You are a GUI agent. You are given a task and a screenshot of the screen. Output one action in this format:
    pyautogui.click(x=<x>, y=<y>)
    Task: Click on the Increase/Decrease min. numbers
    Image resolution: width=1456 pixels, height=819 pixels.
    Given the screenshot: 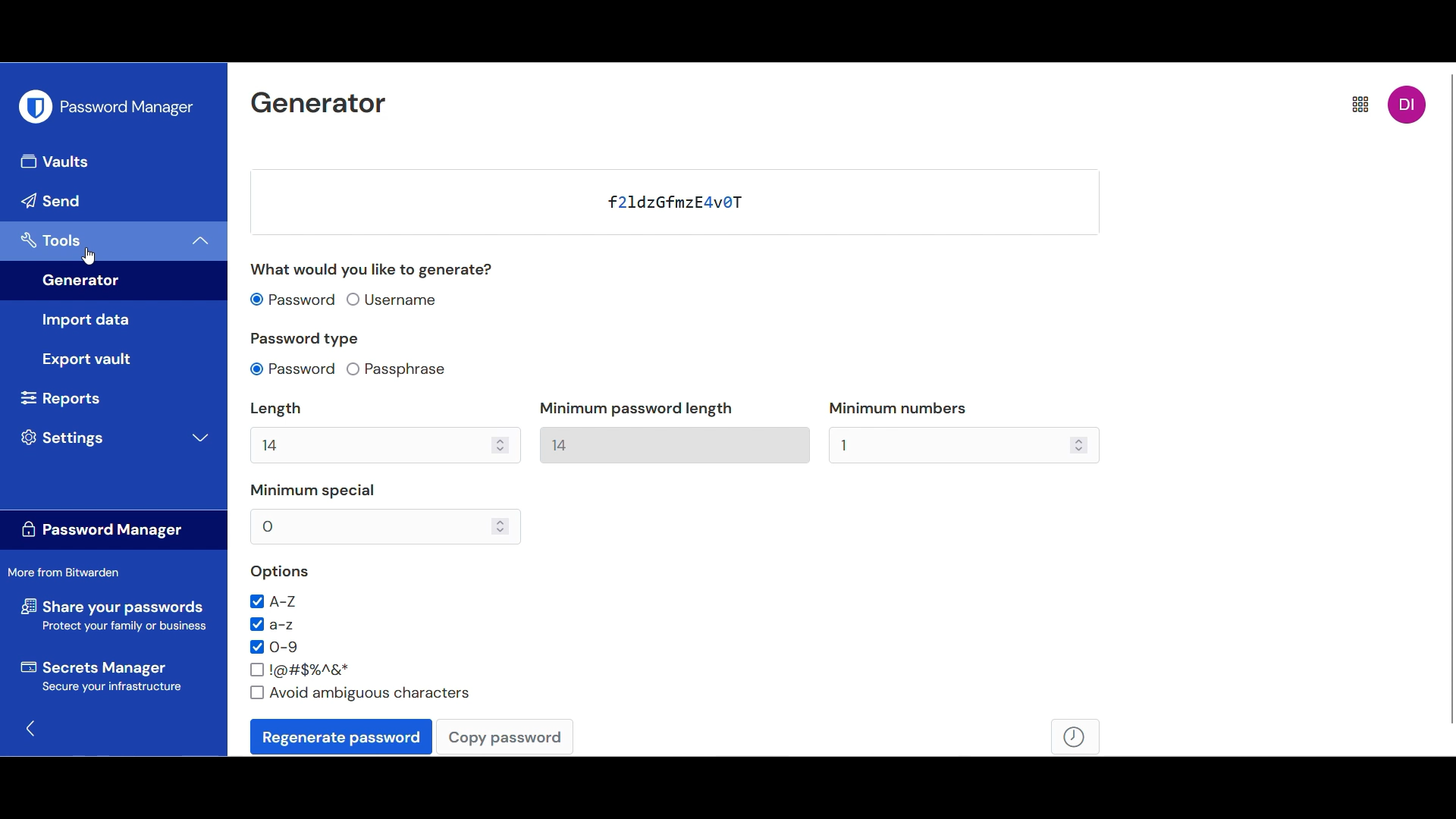 What is the action you would take?
    pyautogui.click(x=1078, y=444)
    